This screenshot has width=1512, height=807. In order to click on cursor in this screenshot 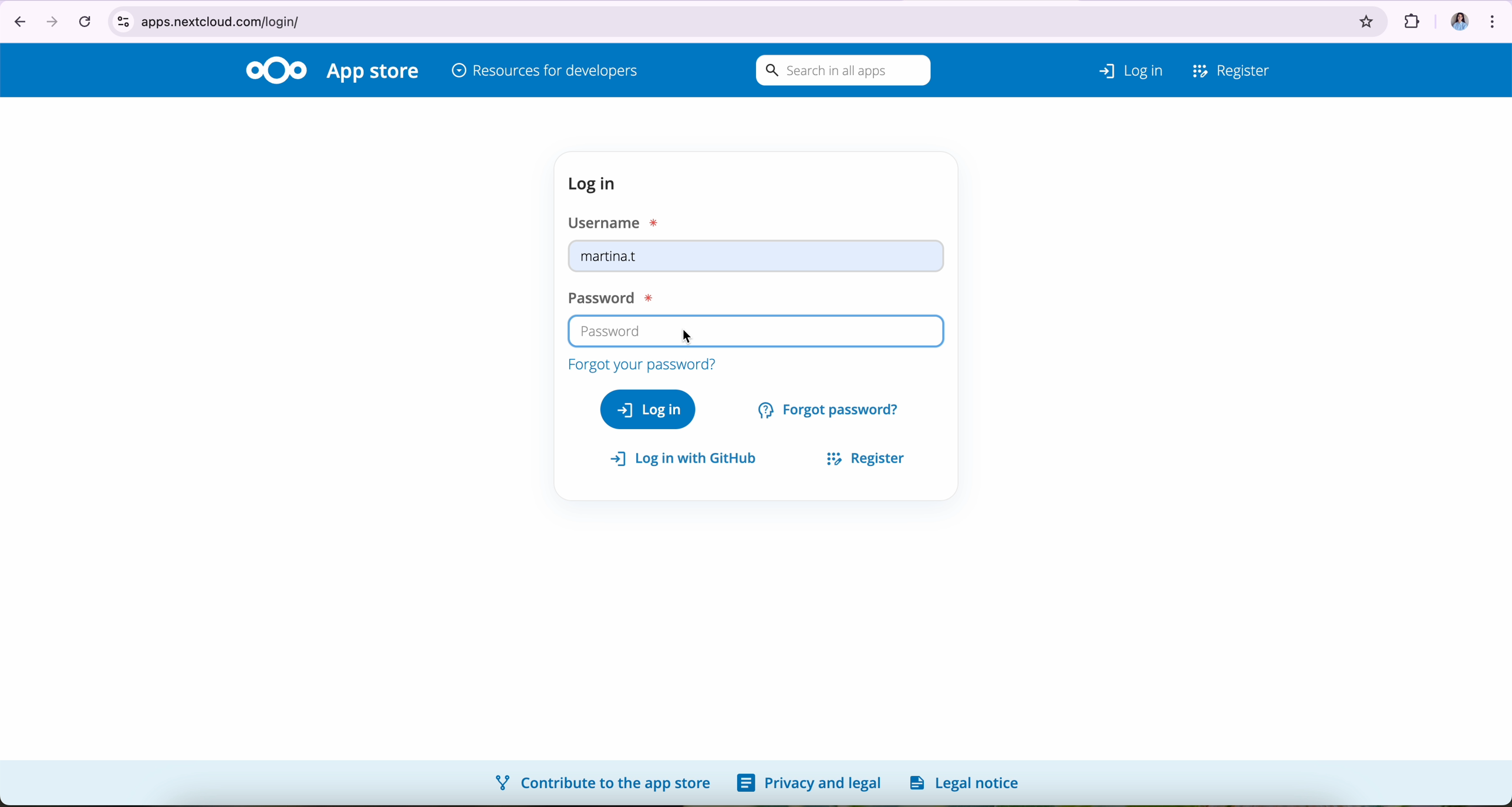, I will do `click(689, 333)`.